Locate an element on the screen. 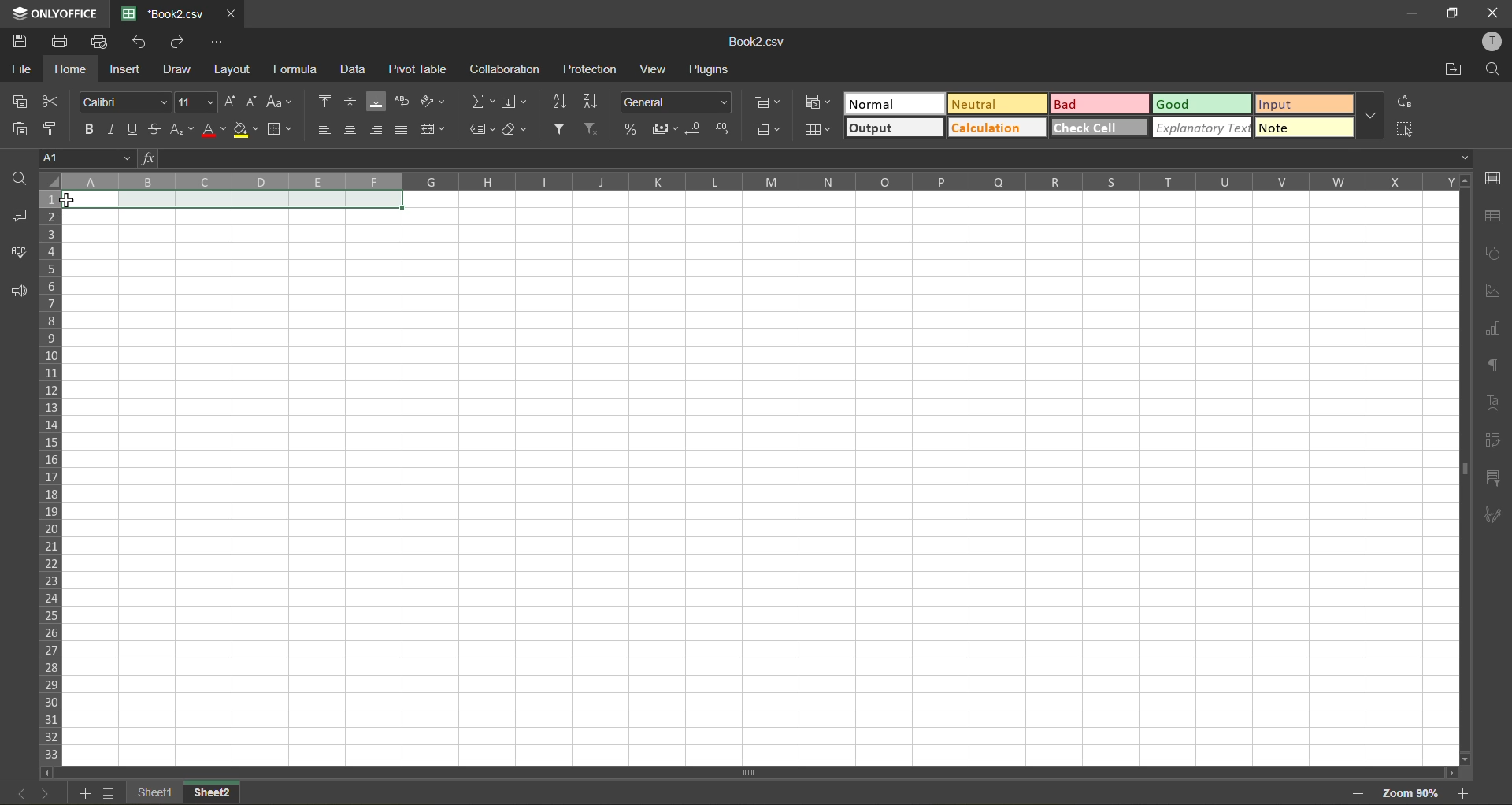  zoom in is located at coordinates (1466, 794).